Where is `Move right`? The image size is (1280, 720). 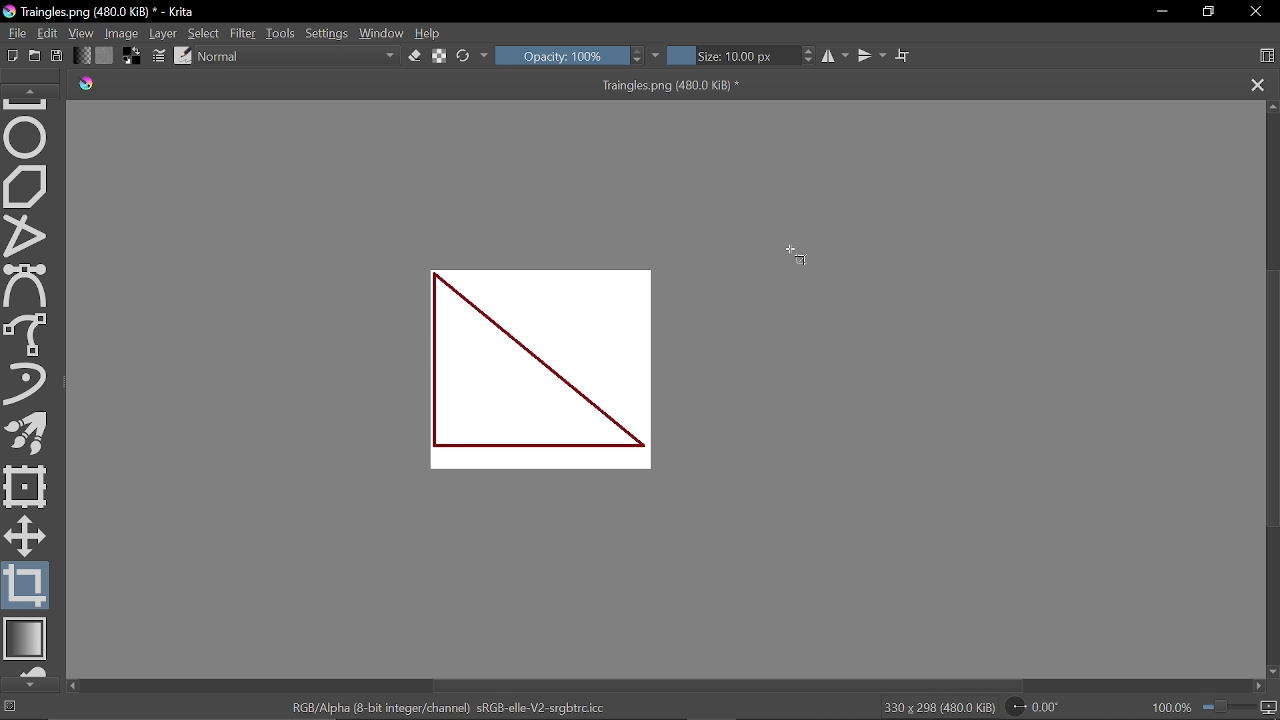 Move right is located at coordinates (1262, 688).